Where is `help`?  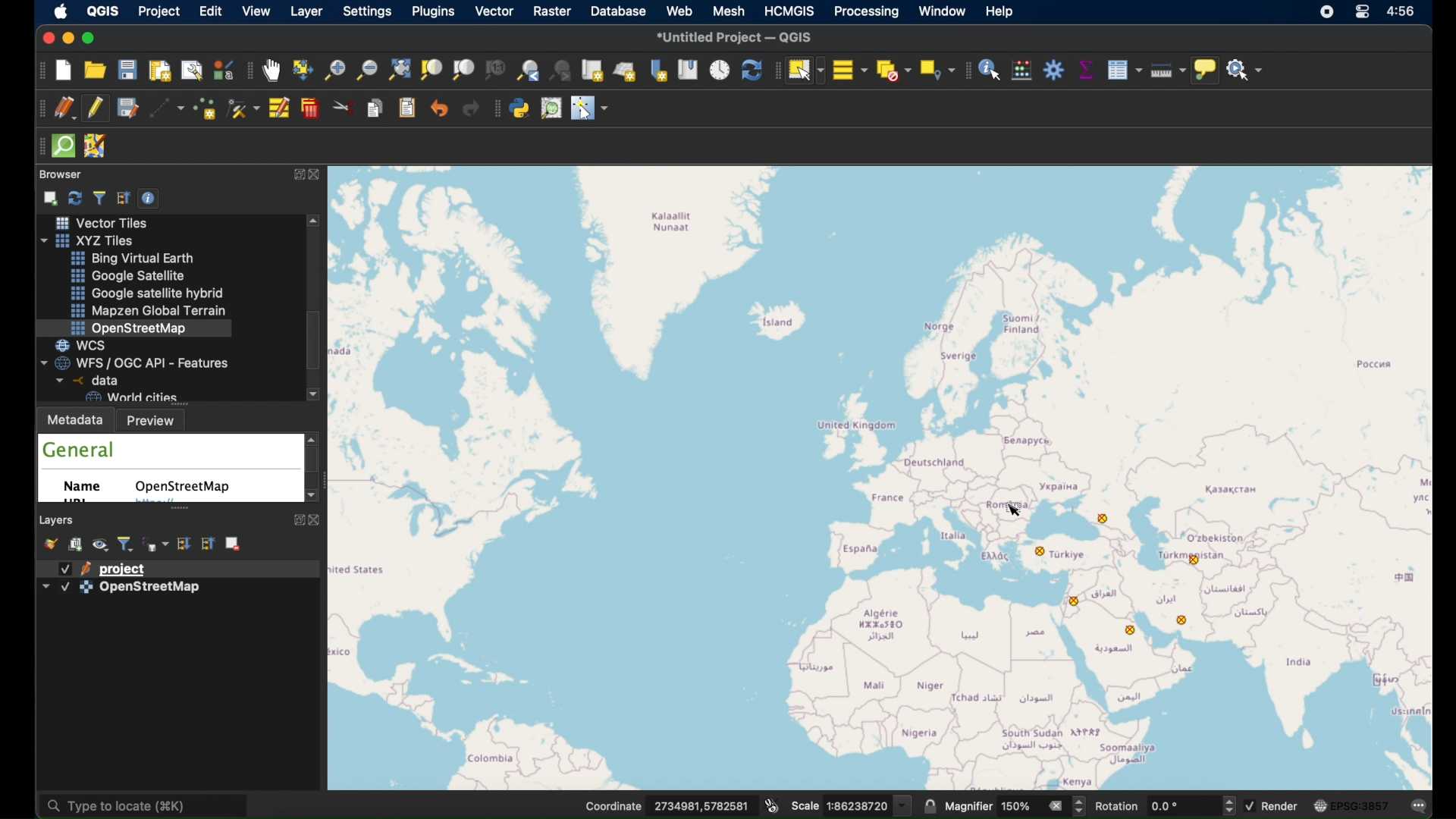
help is located at coordinates (999, 11).